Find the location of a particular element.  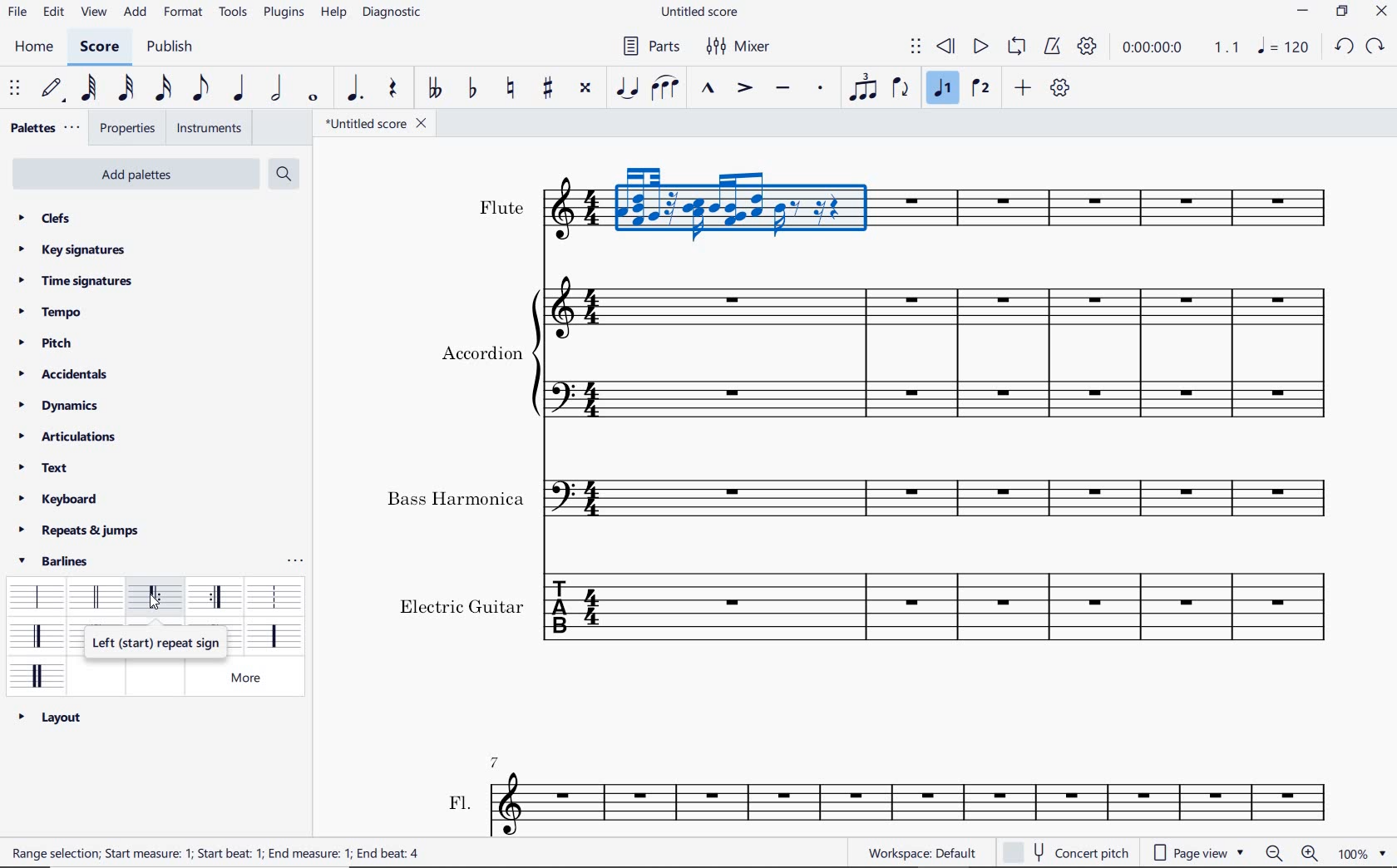

page view is located at coordinates (1202, 851).